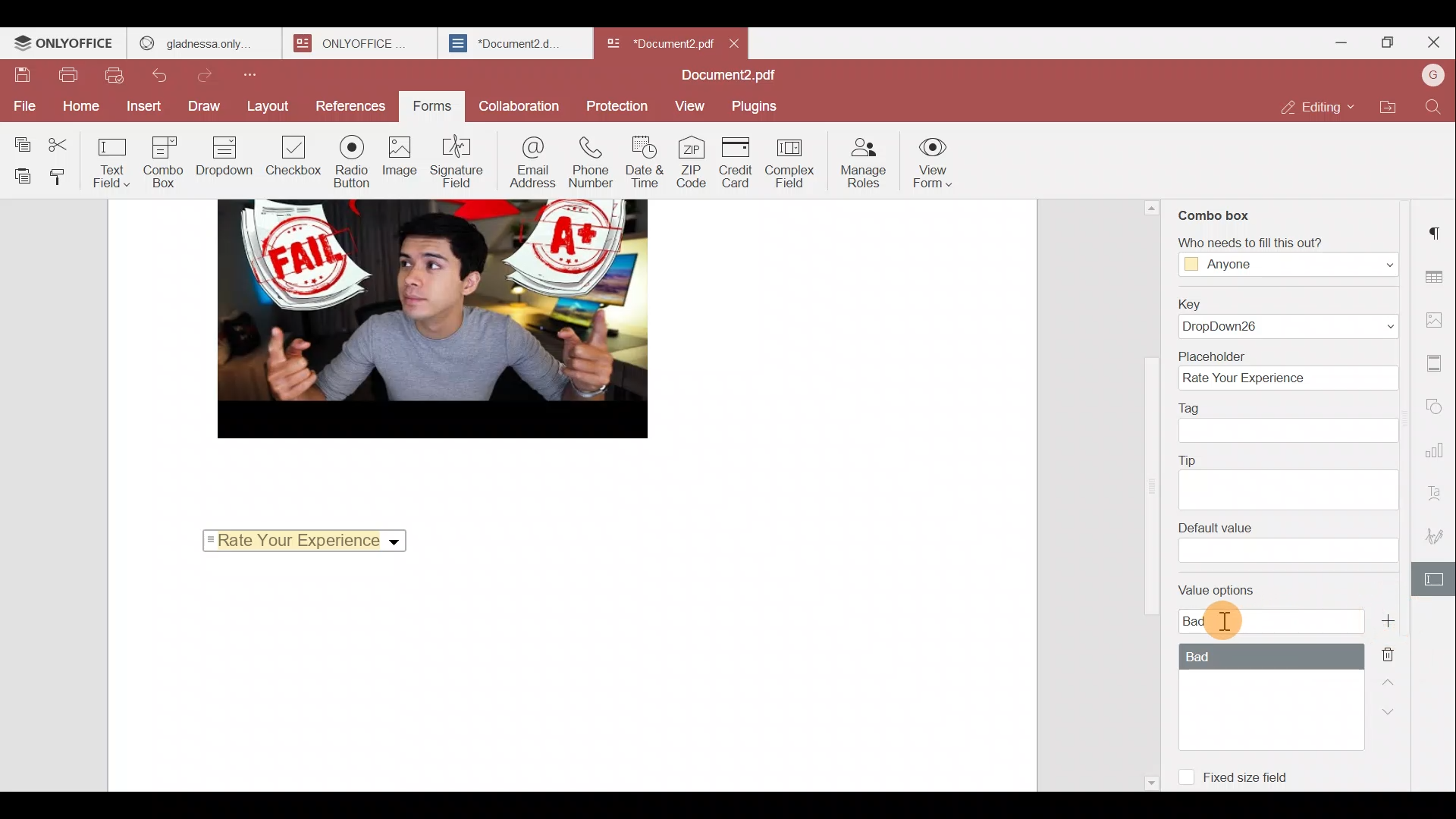 Image resolution: width=1456 pixels, height=819 pixels. What do you see at coordinates (1391, 620) in the screenshot?
I see `Add value` at bounding box center [1391, 620].